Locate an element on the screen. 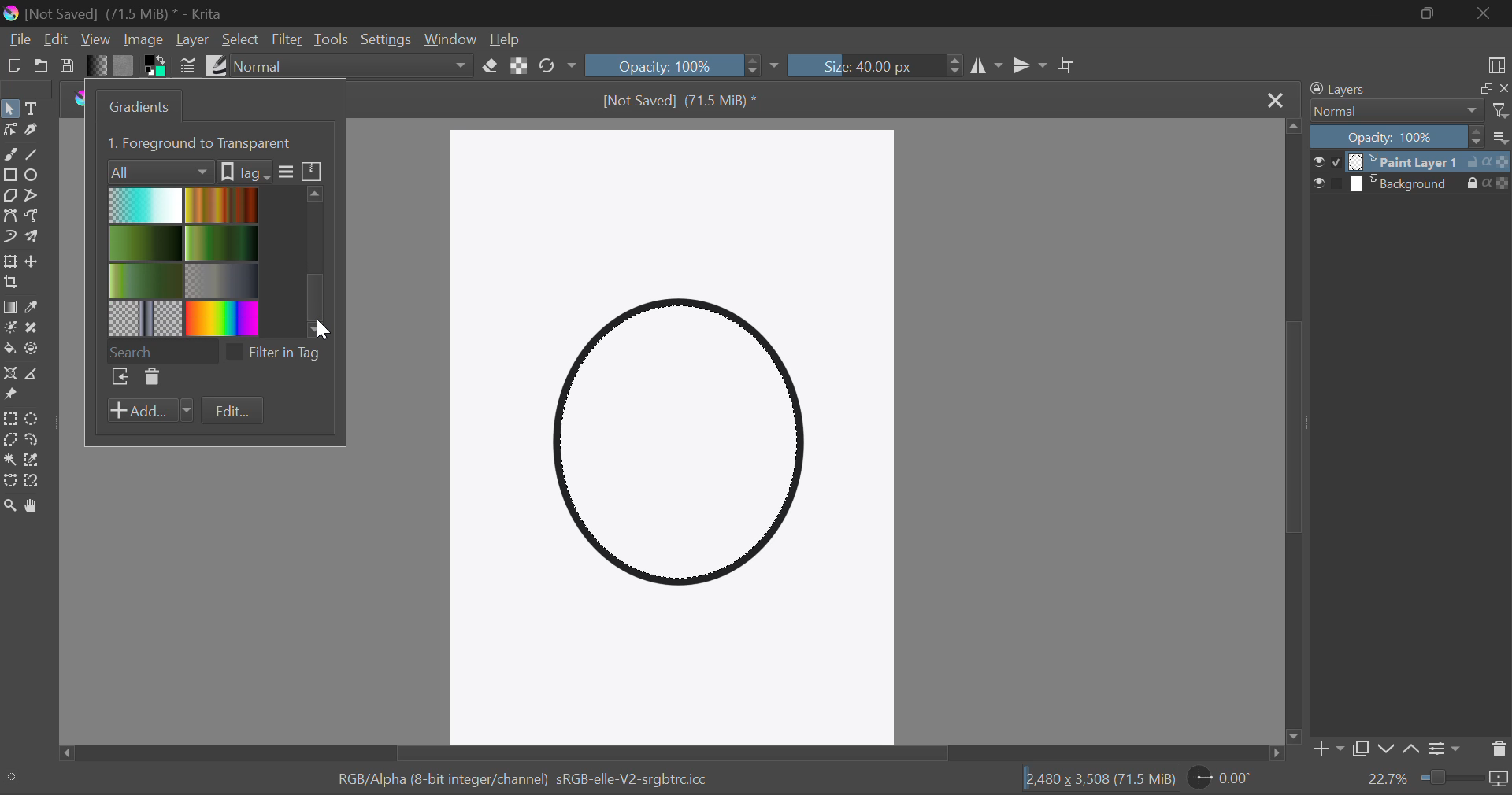  Shape Selected is located at coordinates (684, 449).